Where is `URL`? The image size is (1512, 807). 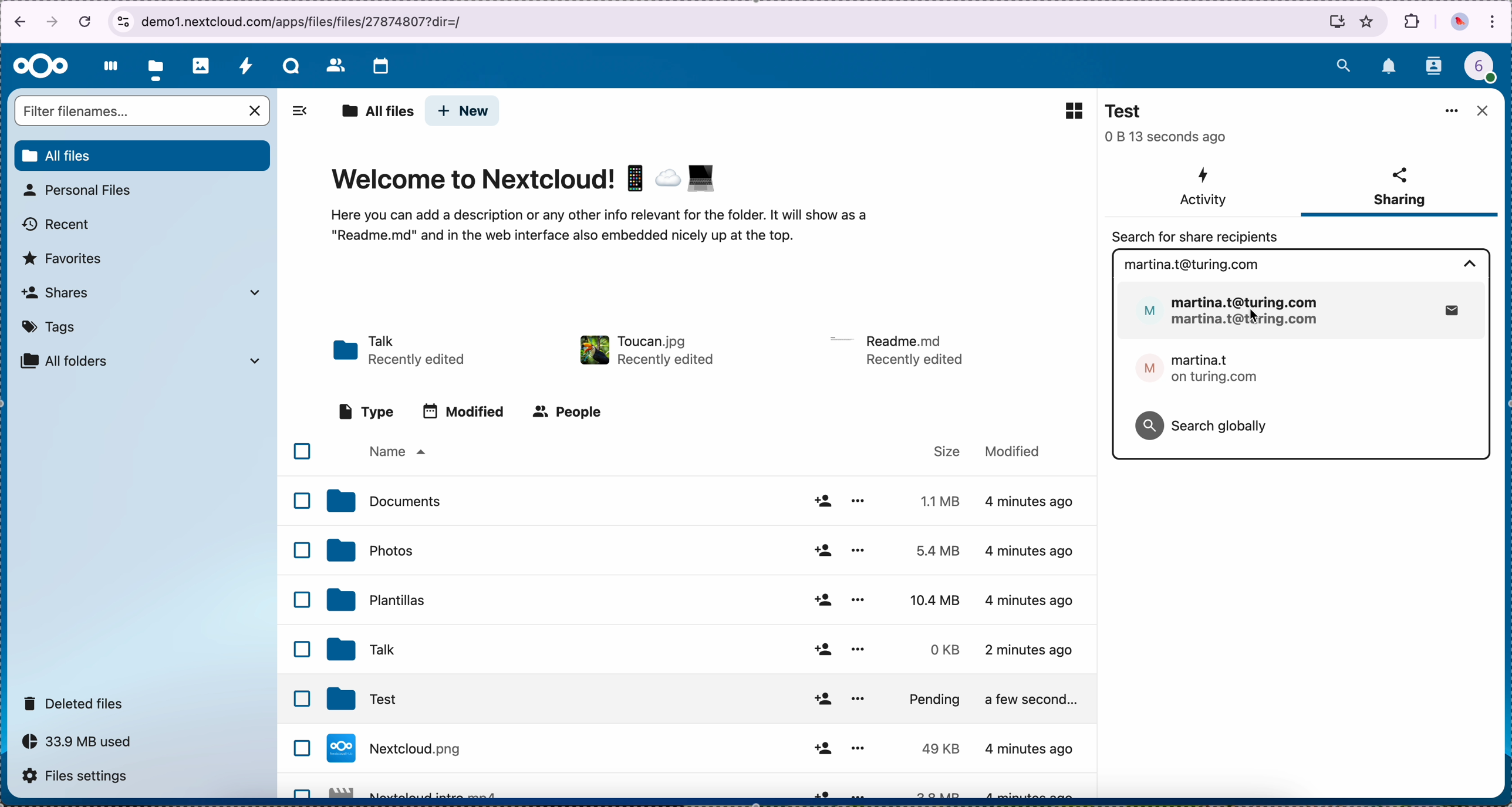
URL is located at coordinates (310, 20).